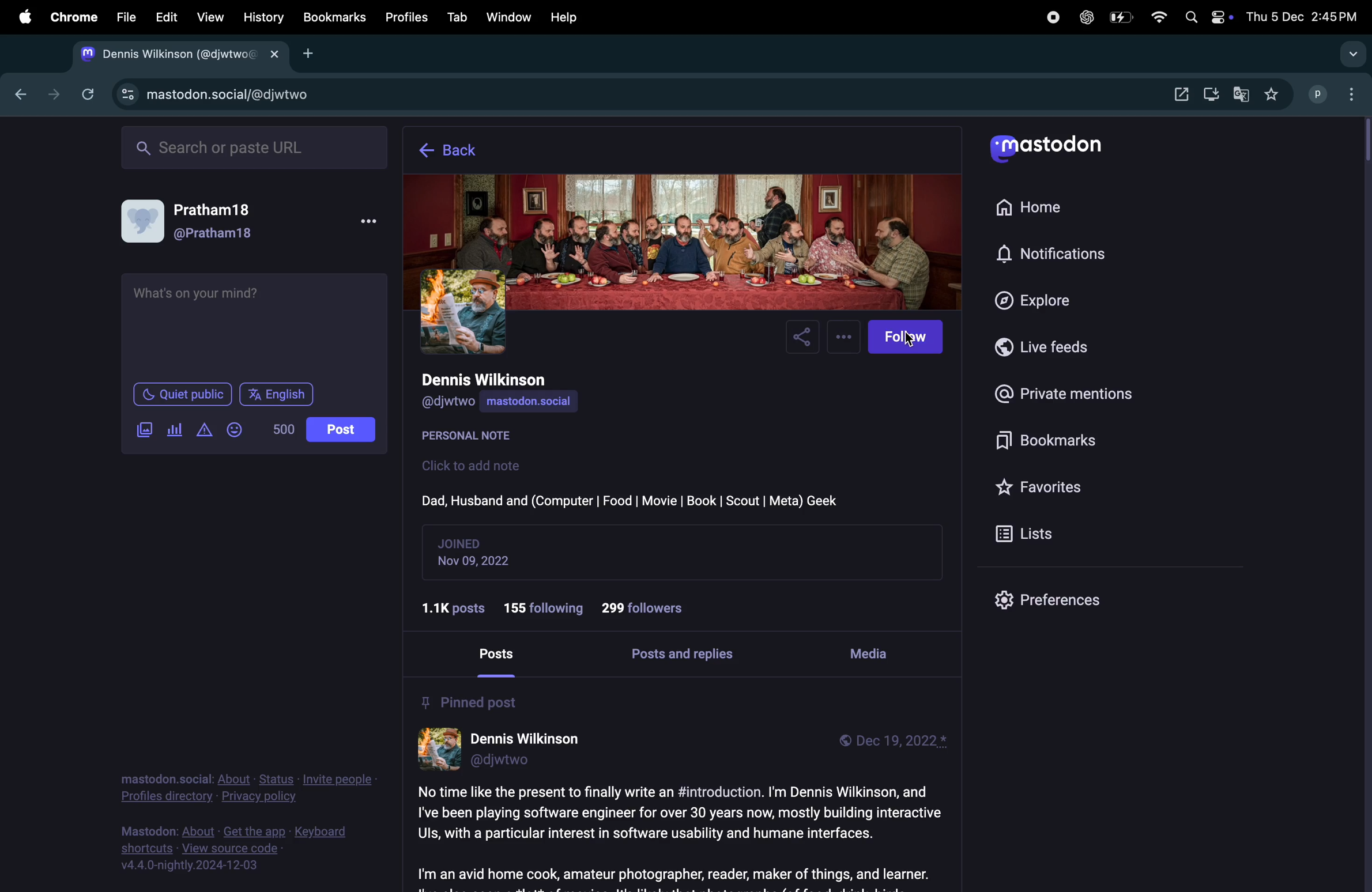  I want to click on Explore, so click(1046, 300).